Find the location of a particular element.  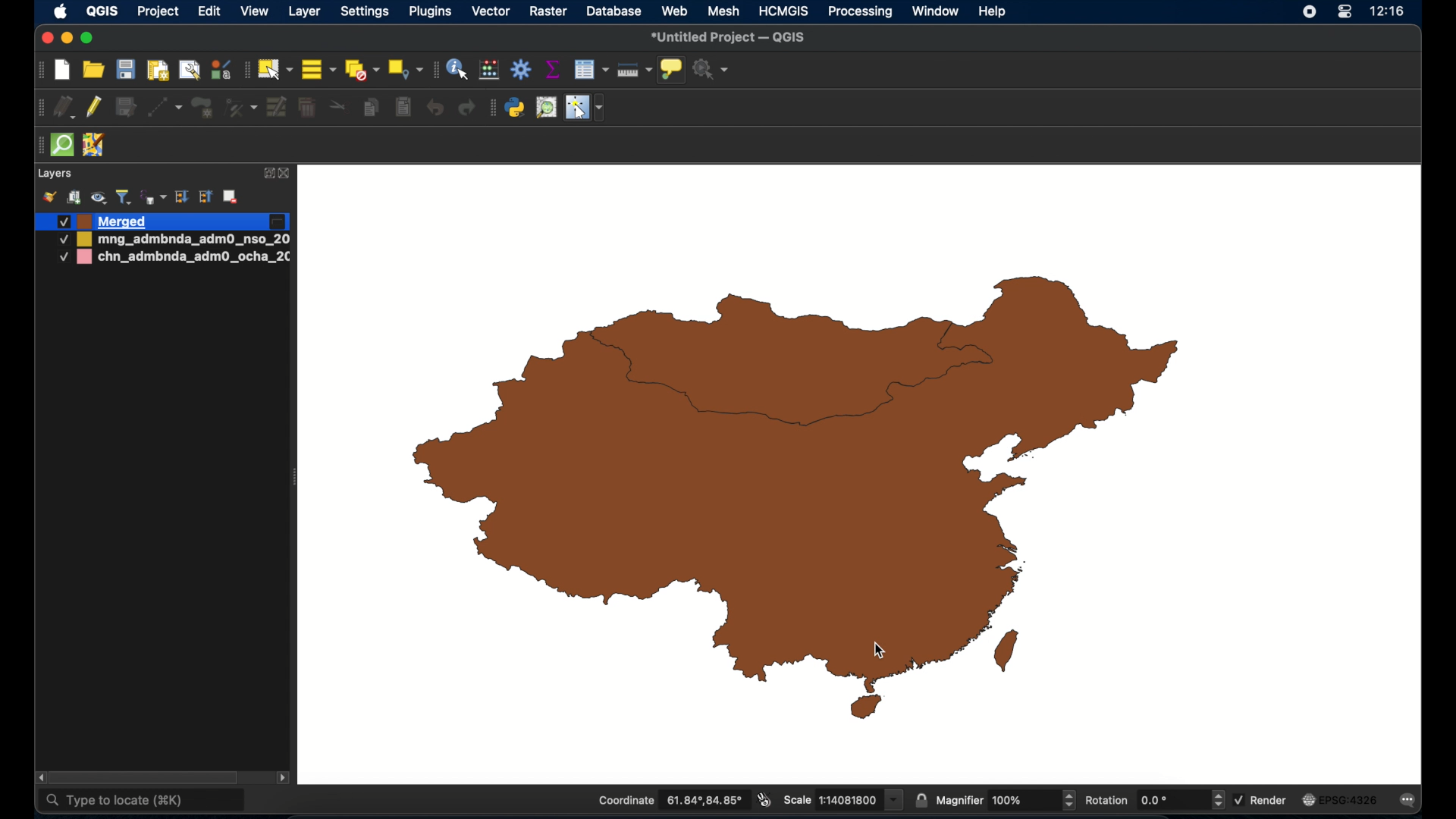

drag handle is located at coordinates (783, 378).